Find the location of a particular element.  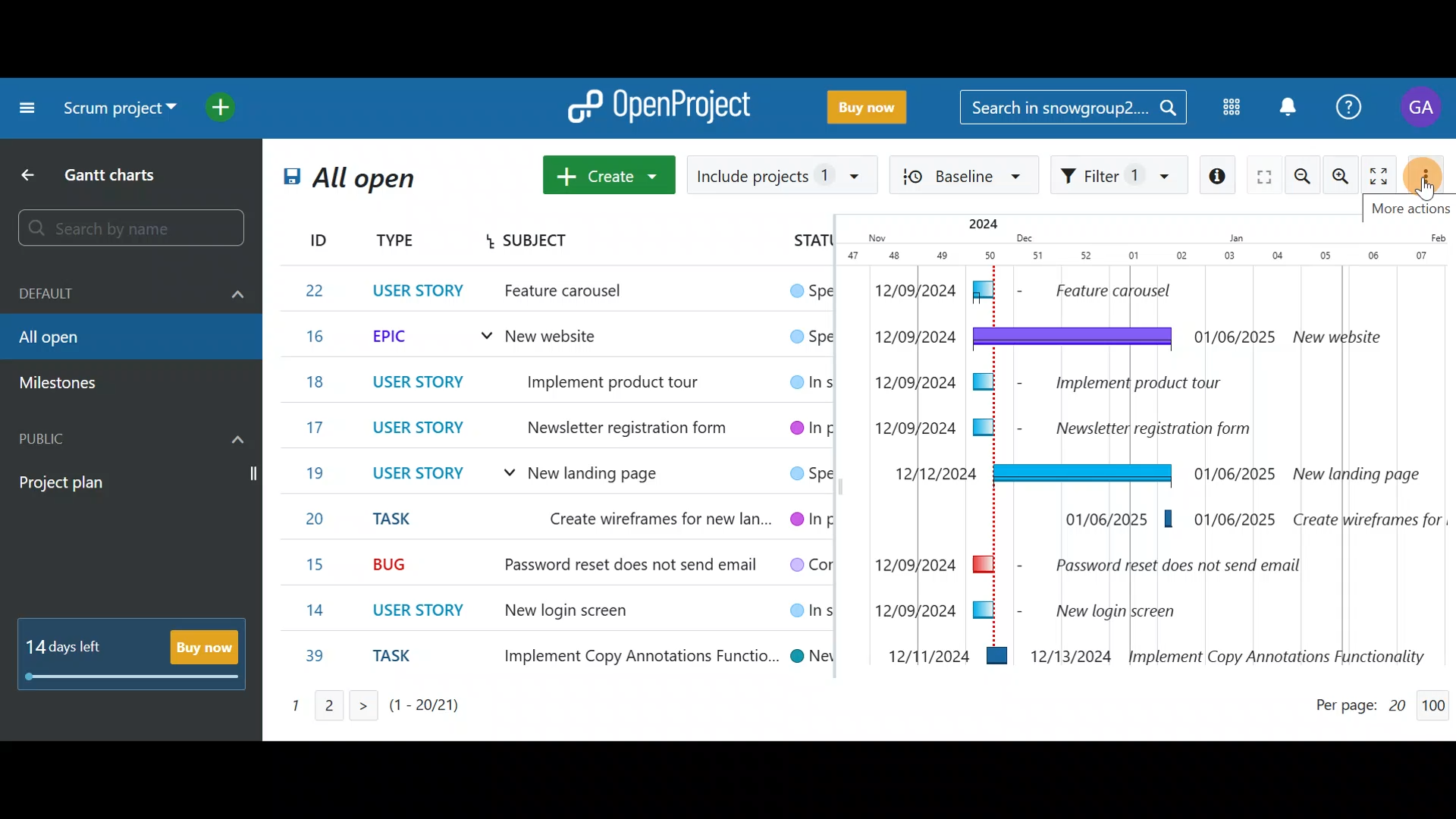

Help is located at coordinates (1352, 105).